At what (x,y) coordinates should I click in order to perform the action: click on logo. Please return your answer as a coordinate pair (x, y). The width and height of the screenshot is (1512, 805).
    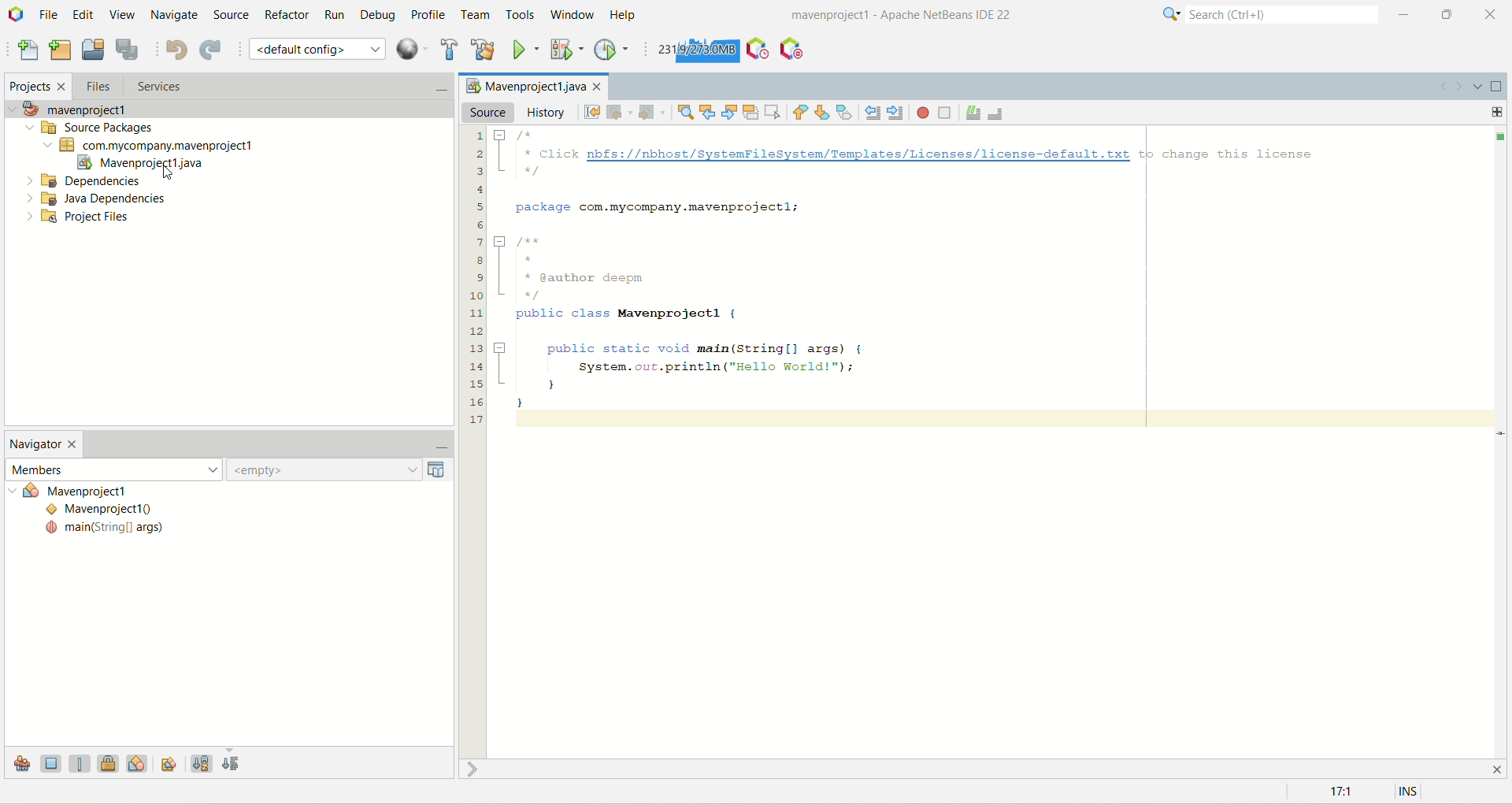
    Looking at the image, I should click on (17, 16).